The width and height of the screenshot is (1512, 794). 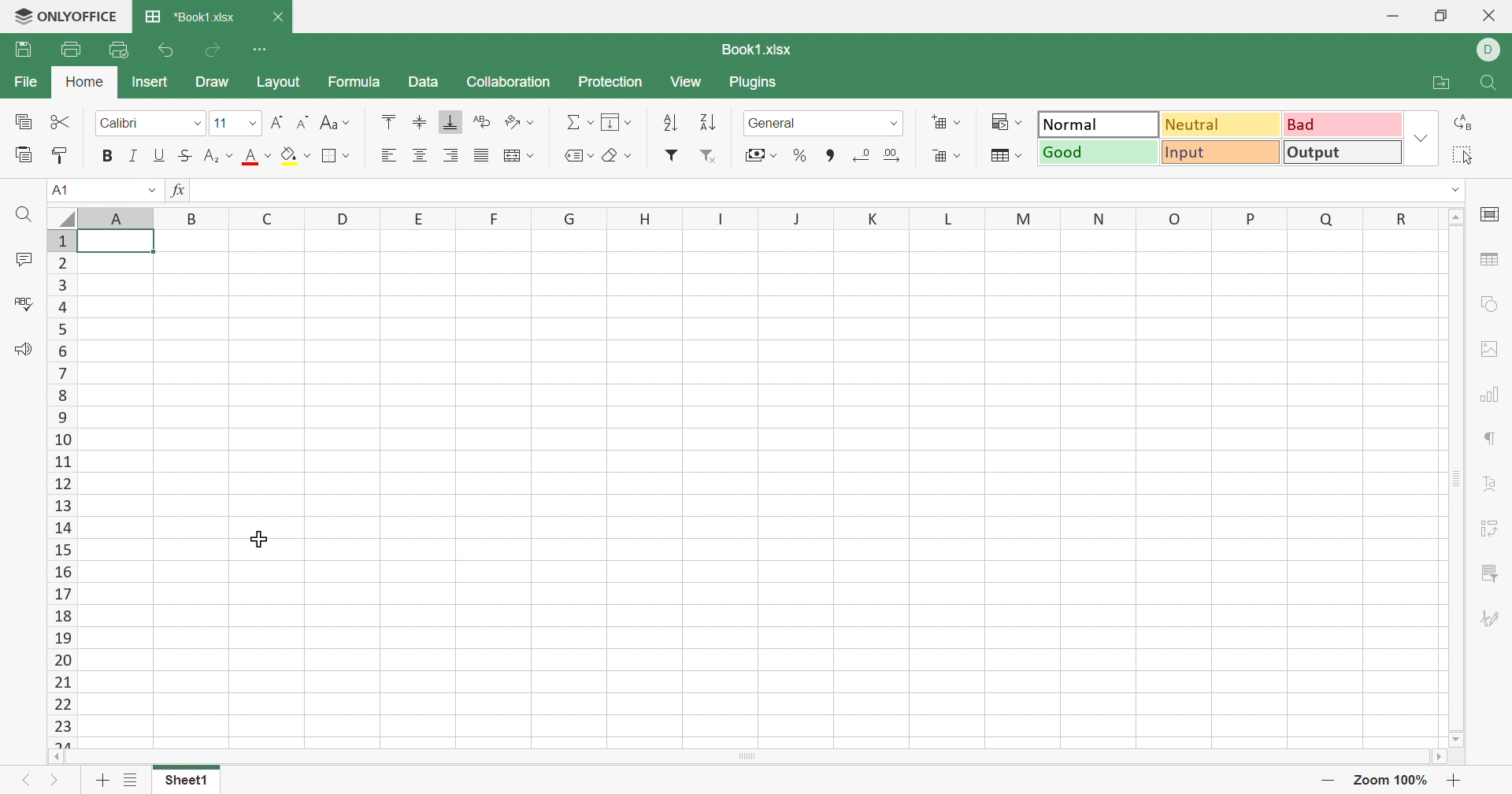 I want to click on Insert cells, so click(x=939, y=122).